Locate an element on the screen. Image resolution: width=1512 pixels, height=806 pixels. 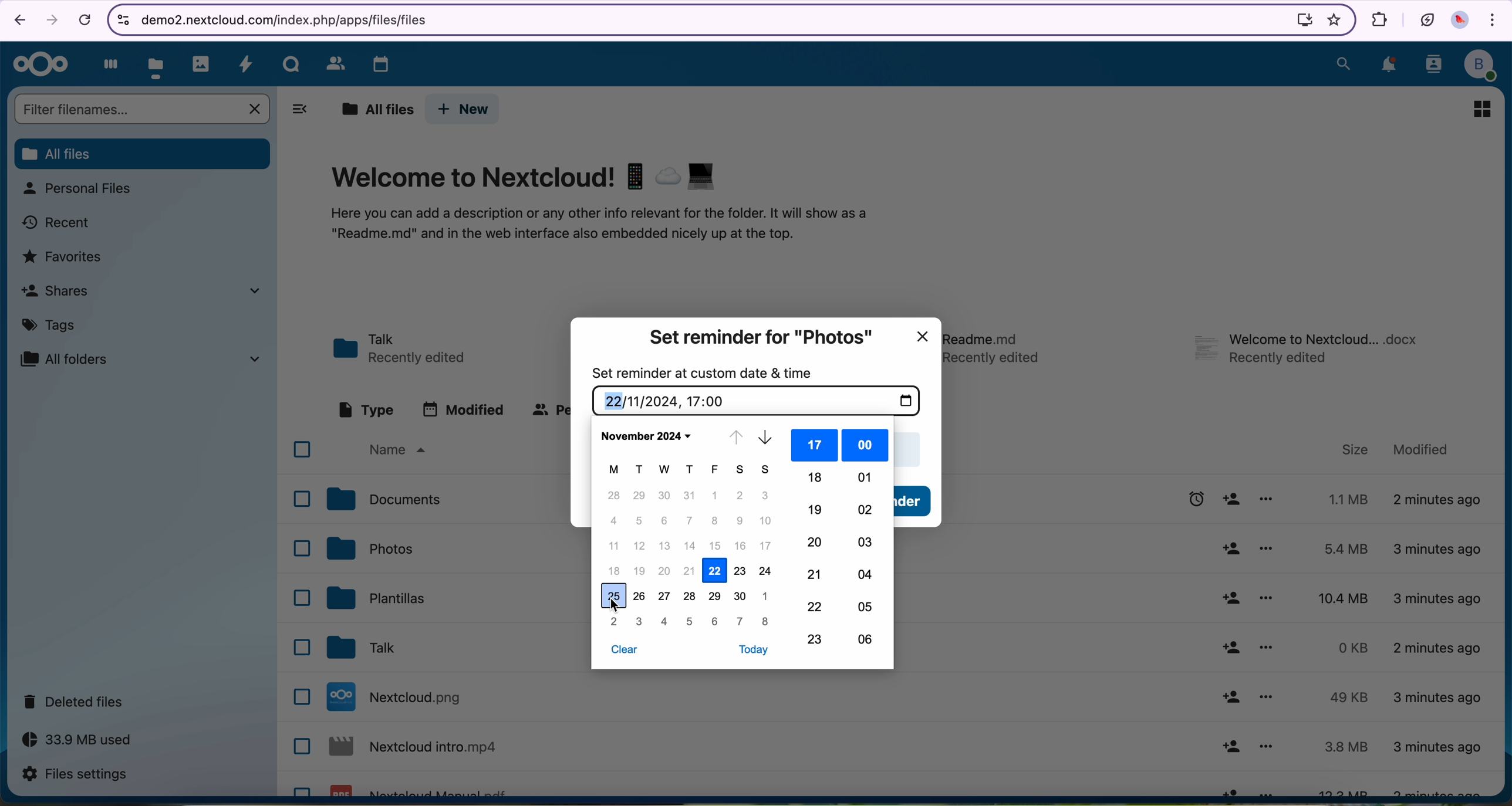
documents is located at coordinates (386, 500).